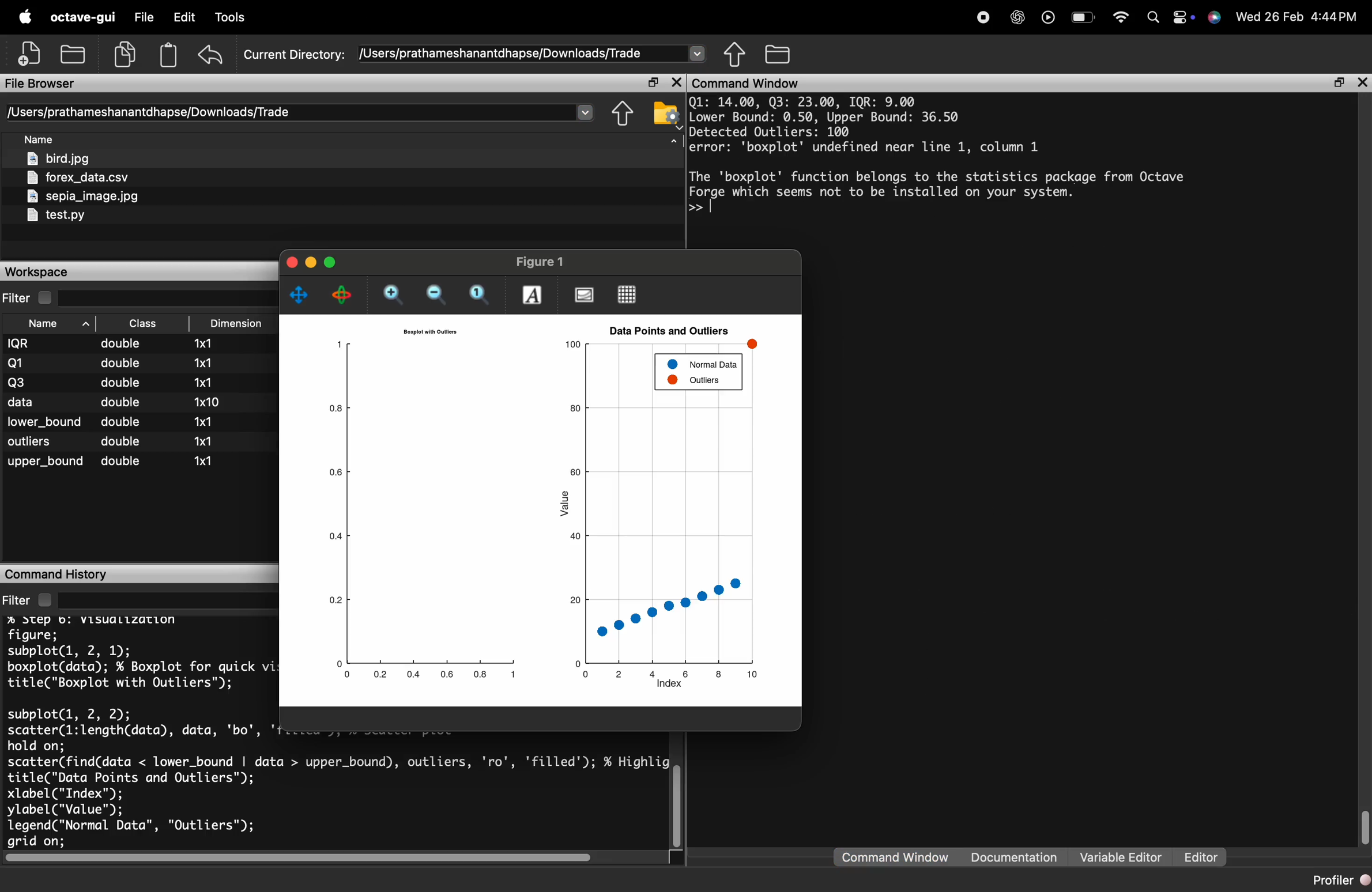 This screenshot has height=892, width=1372. Describe the element at coordinates (58, 574) in the screenshot. I see `Command History` at that location.